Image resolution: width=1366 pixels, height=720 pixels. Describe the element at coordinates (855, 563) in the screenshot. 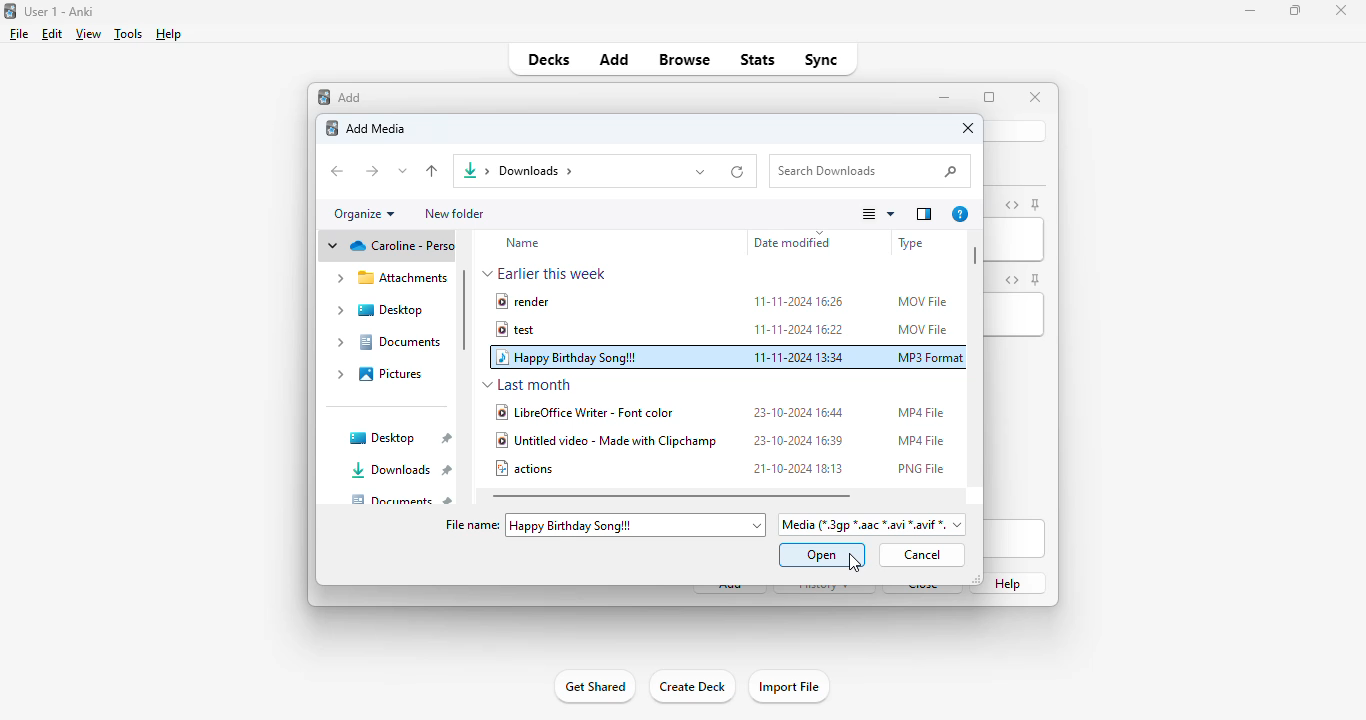

I see `cursor` at that location.